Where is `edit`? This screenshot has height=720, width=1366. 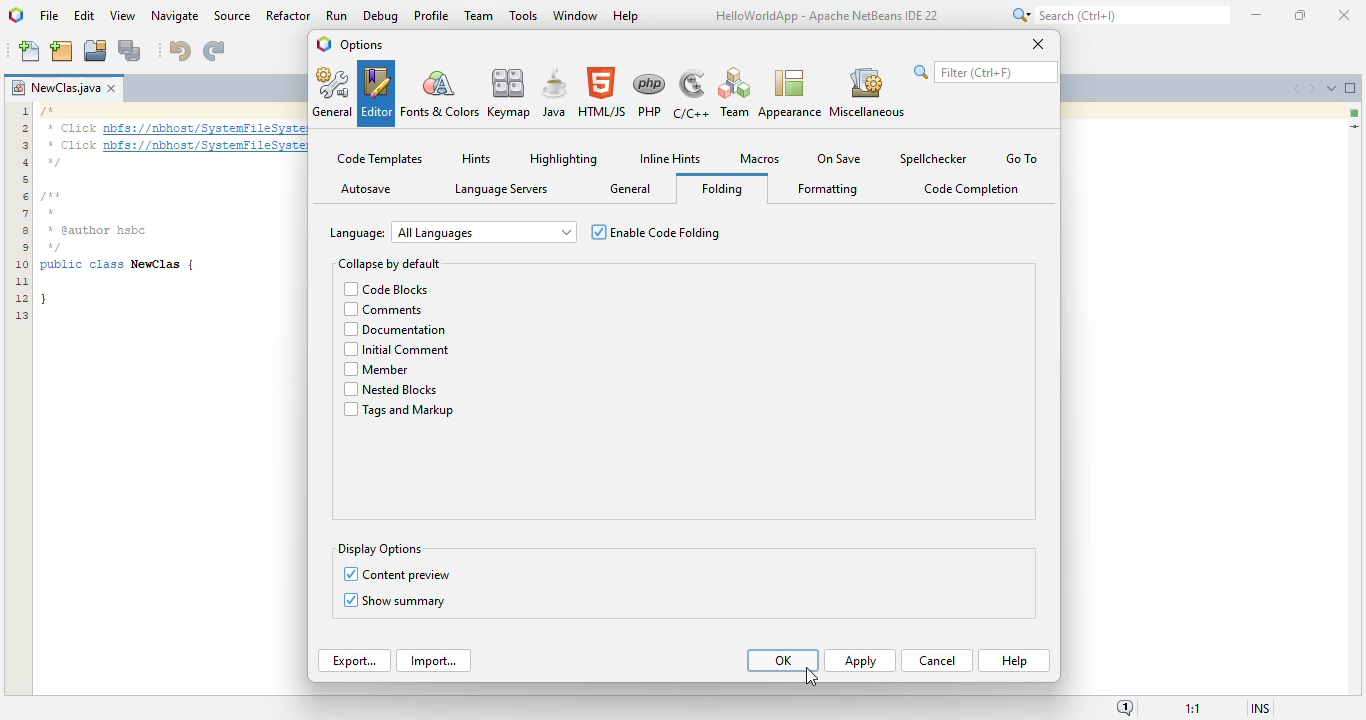 edit is located at coordinates (85, 16).